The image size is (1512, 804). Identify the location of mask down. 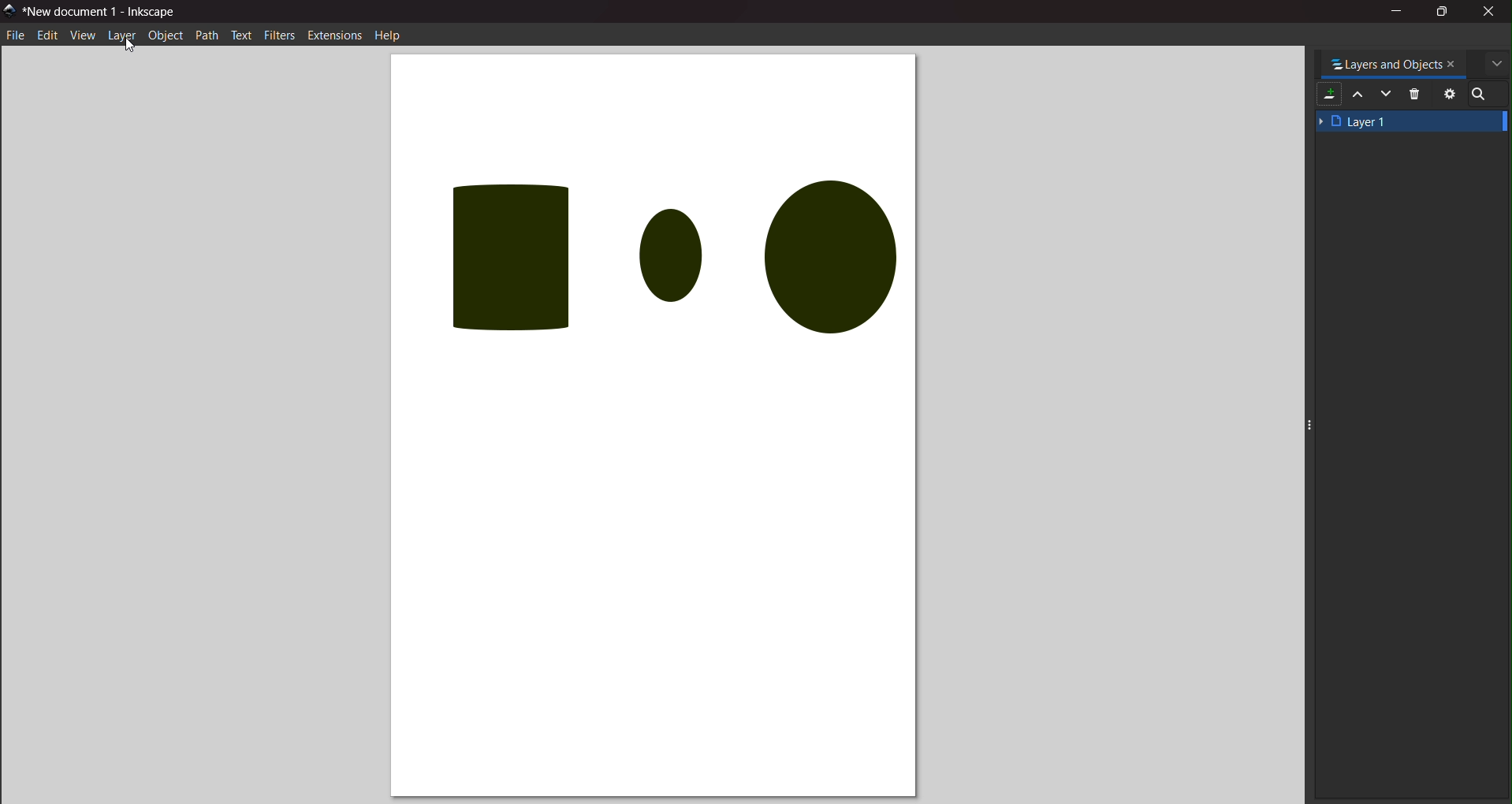
(1387, 94).